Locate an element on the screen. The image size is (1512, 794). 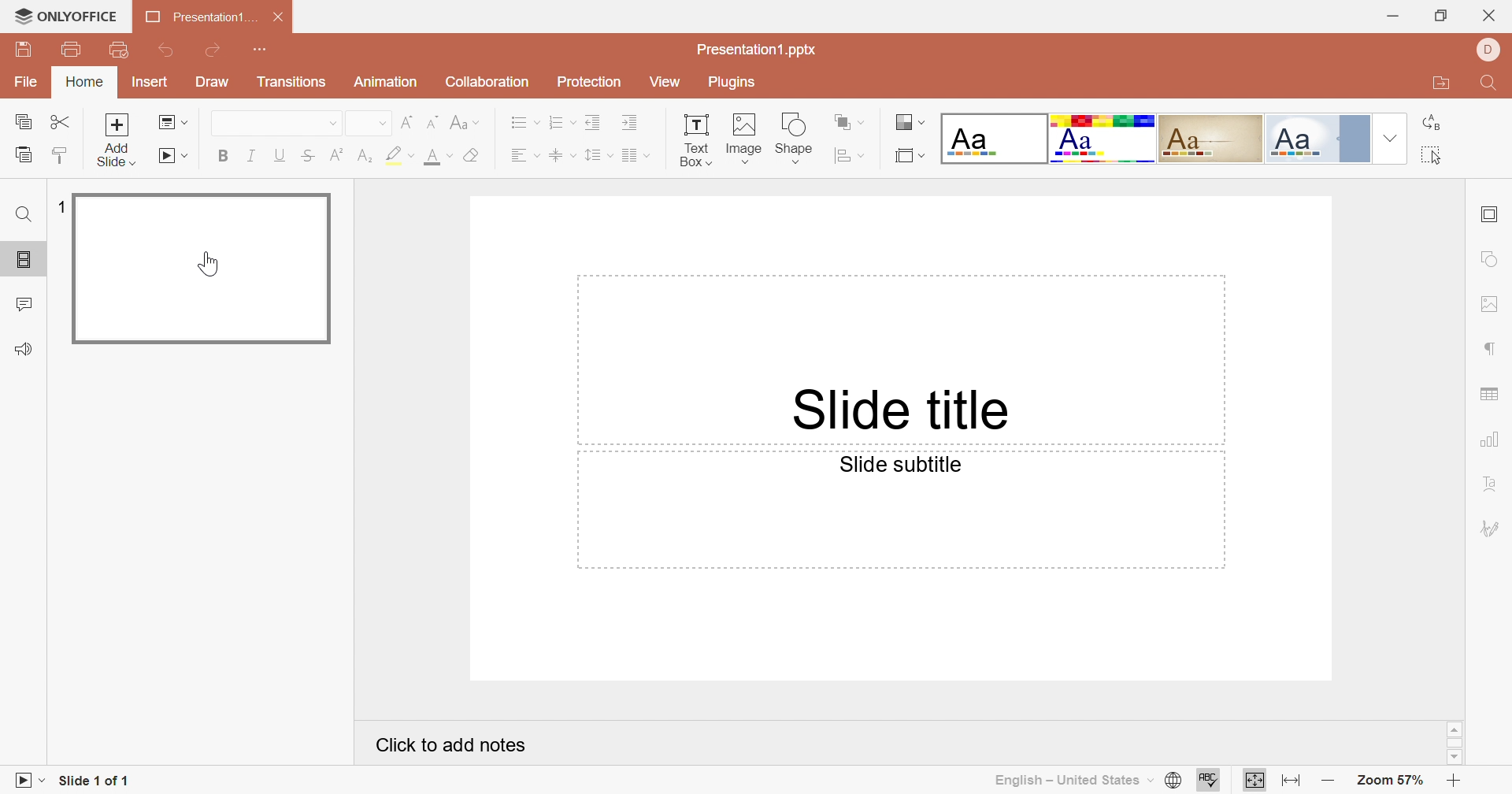
image is located at coordinates (746, 138).